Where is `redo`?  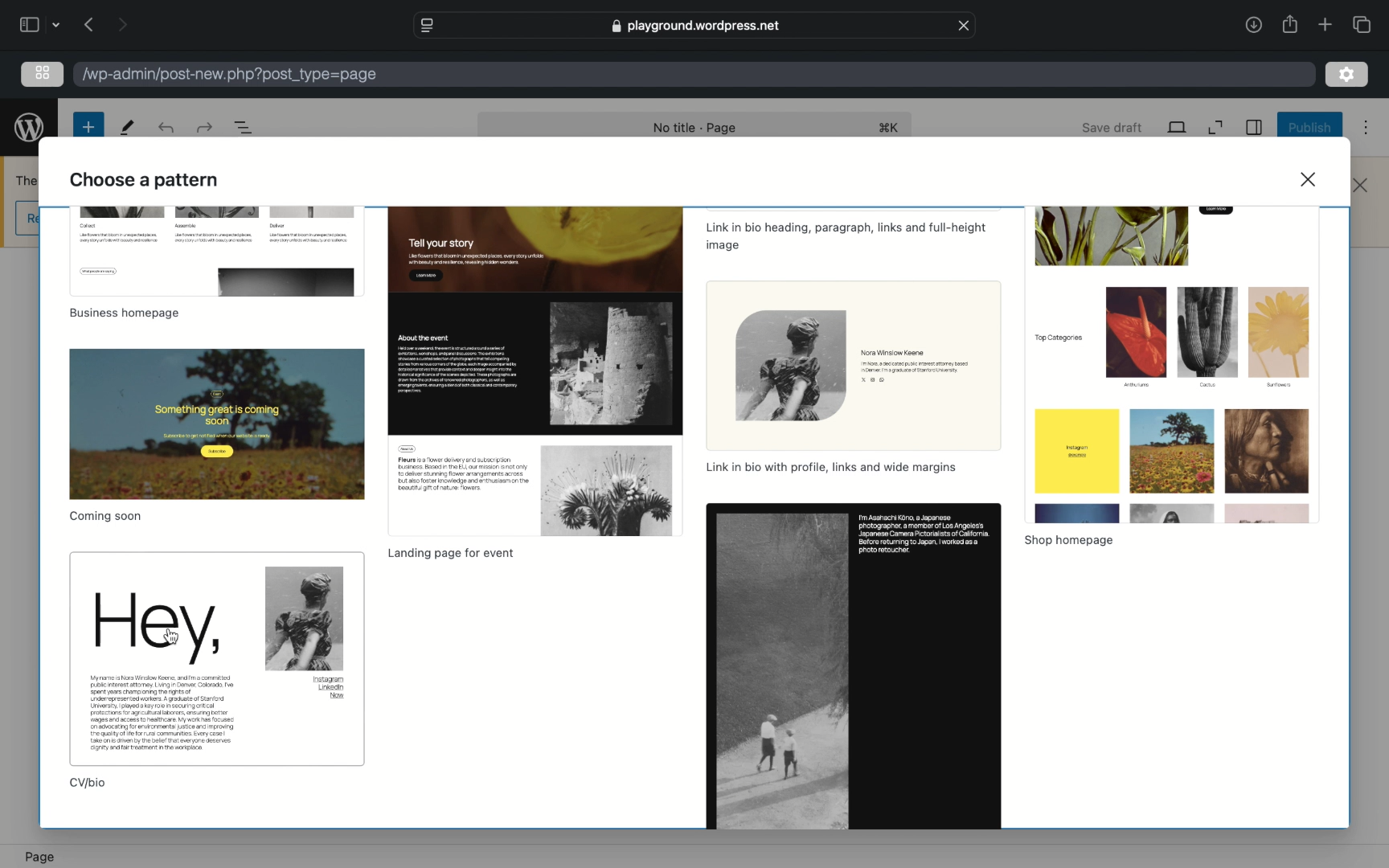 redo is located at coordinates (166, 129).